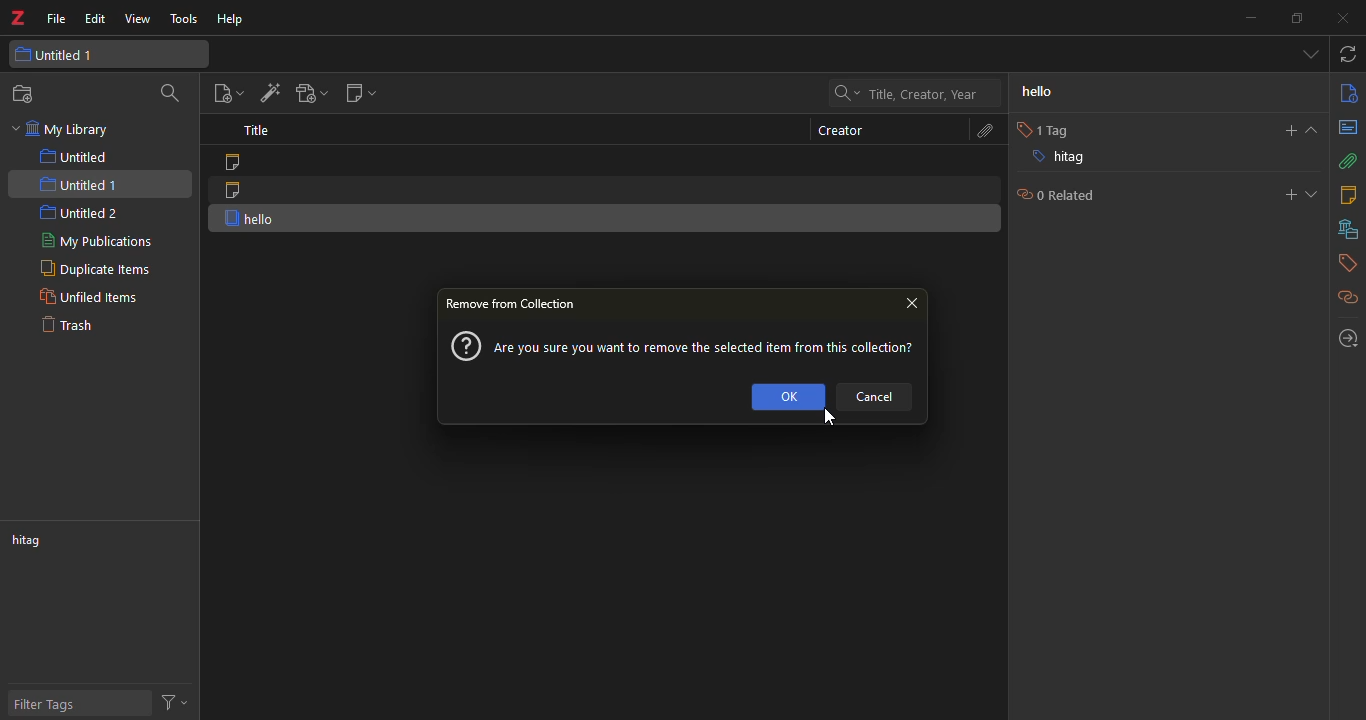 The width and height of the screenshot is (1366, 720). Describe the element at coordinates (54, 21) in the screenshot. I see `file` at that location.